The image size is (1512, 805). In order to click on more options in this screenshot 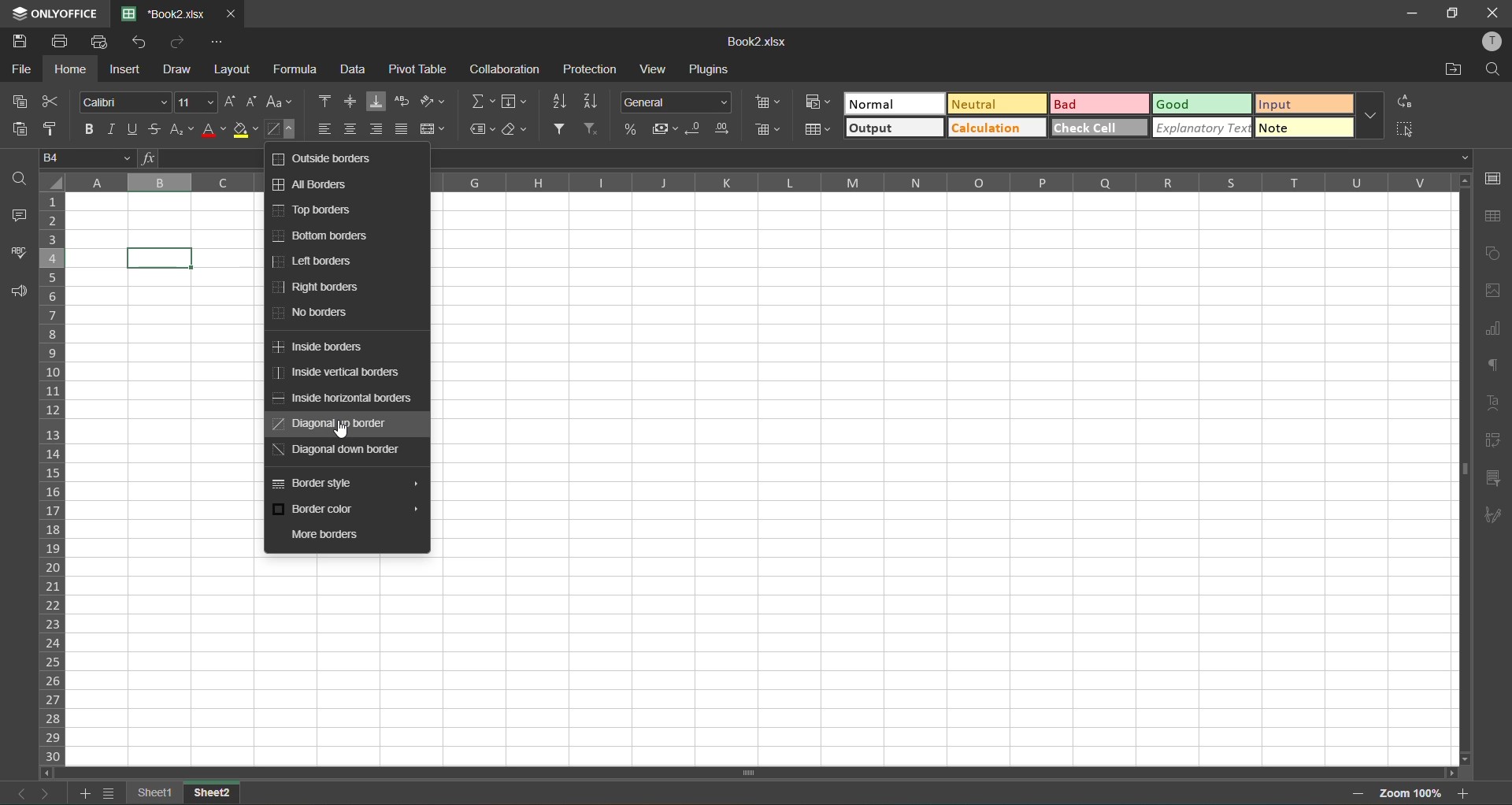, I will do `click(1376, 116)`.